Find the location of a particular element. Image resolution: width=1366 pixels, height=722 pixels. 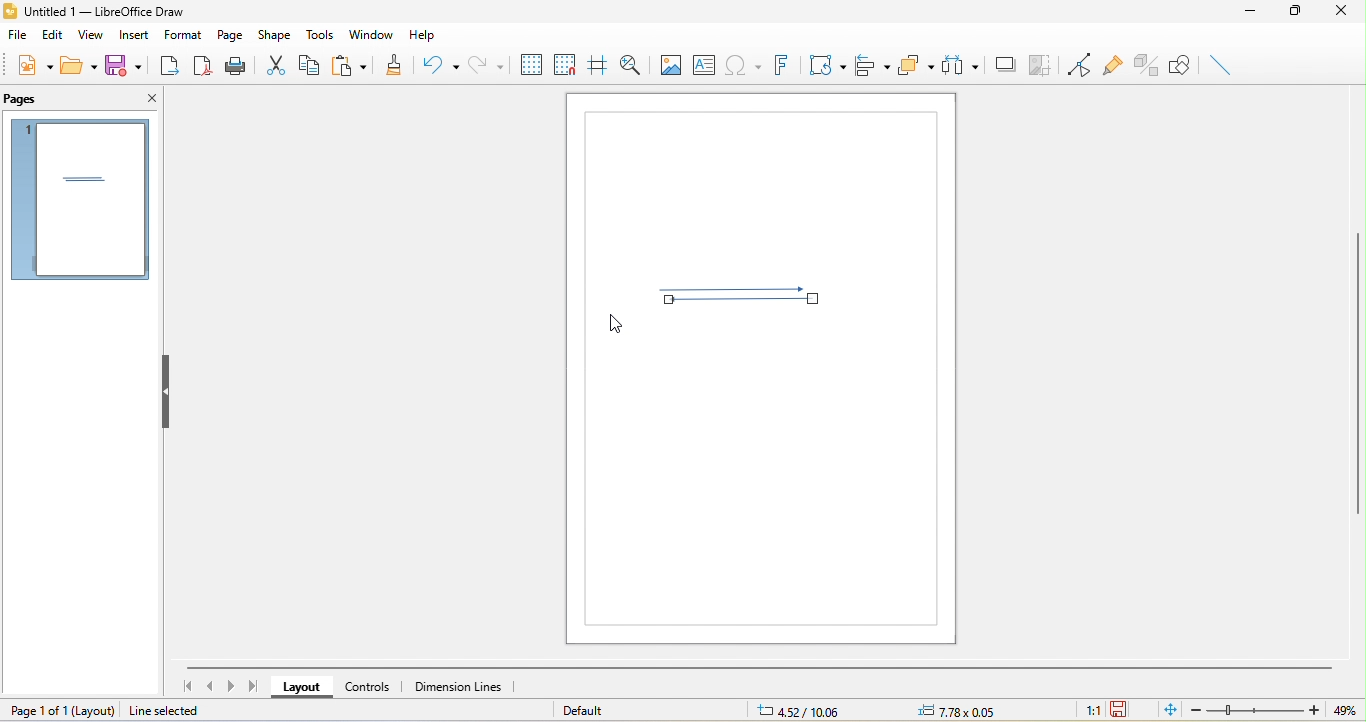

redo is located at coordinates (487, 63).